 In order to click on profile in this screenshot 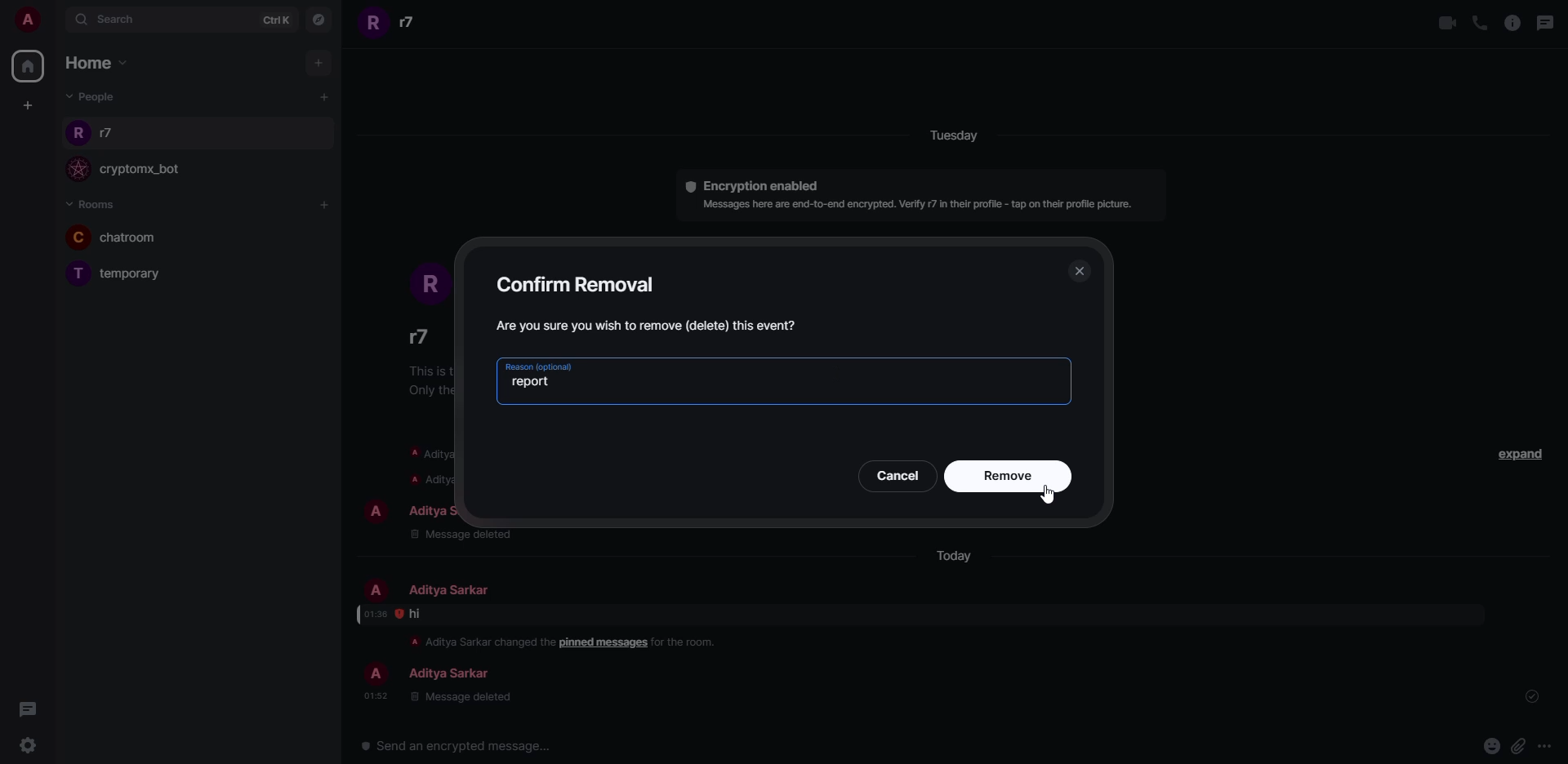, I will do `click(374, 24)`.